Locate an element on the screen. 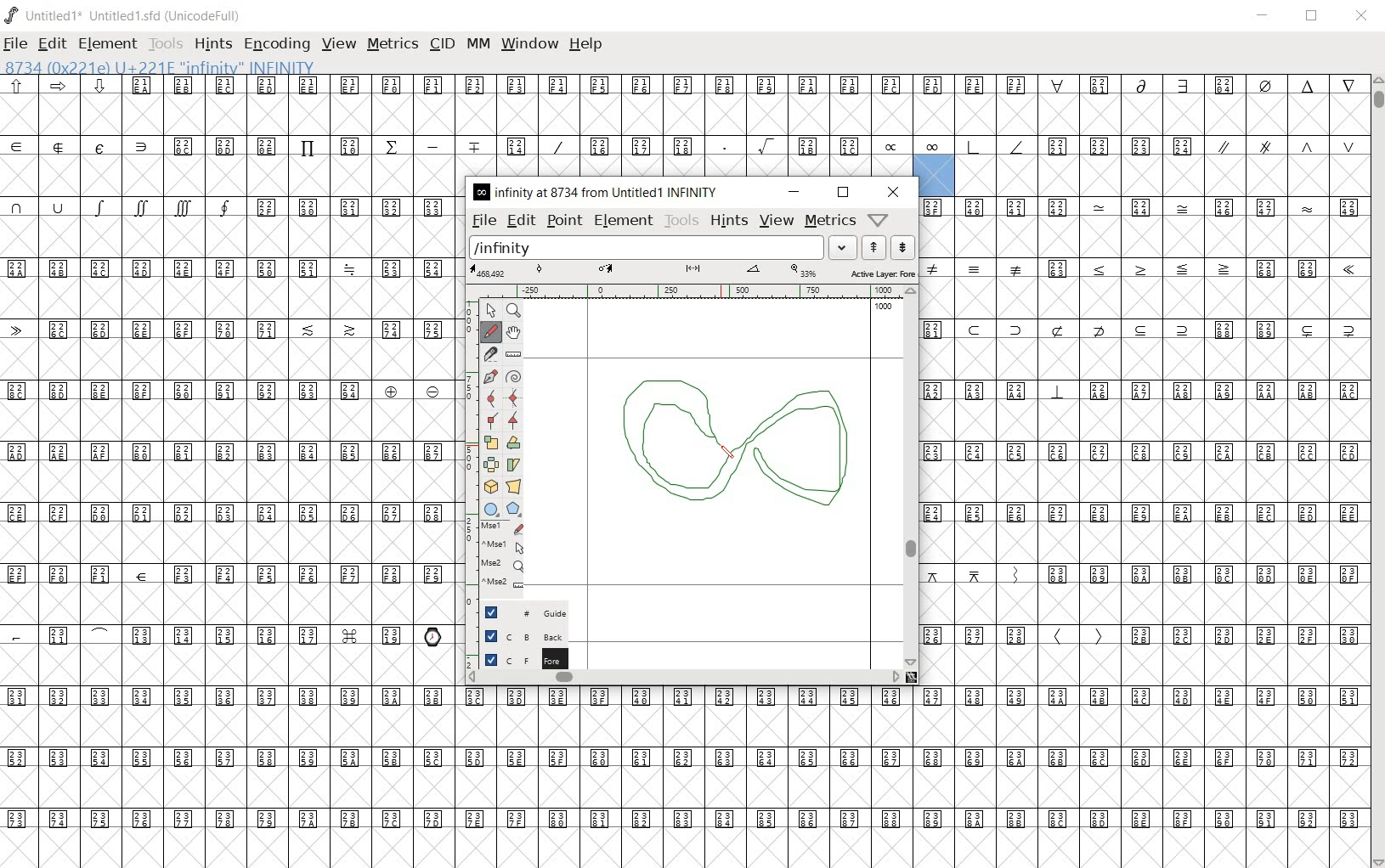  add a curve point is located at coordinates (491, 399).